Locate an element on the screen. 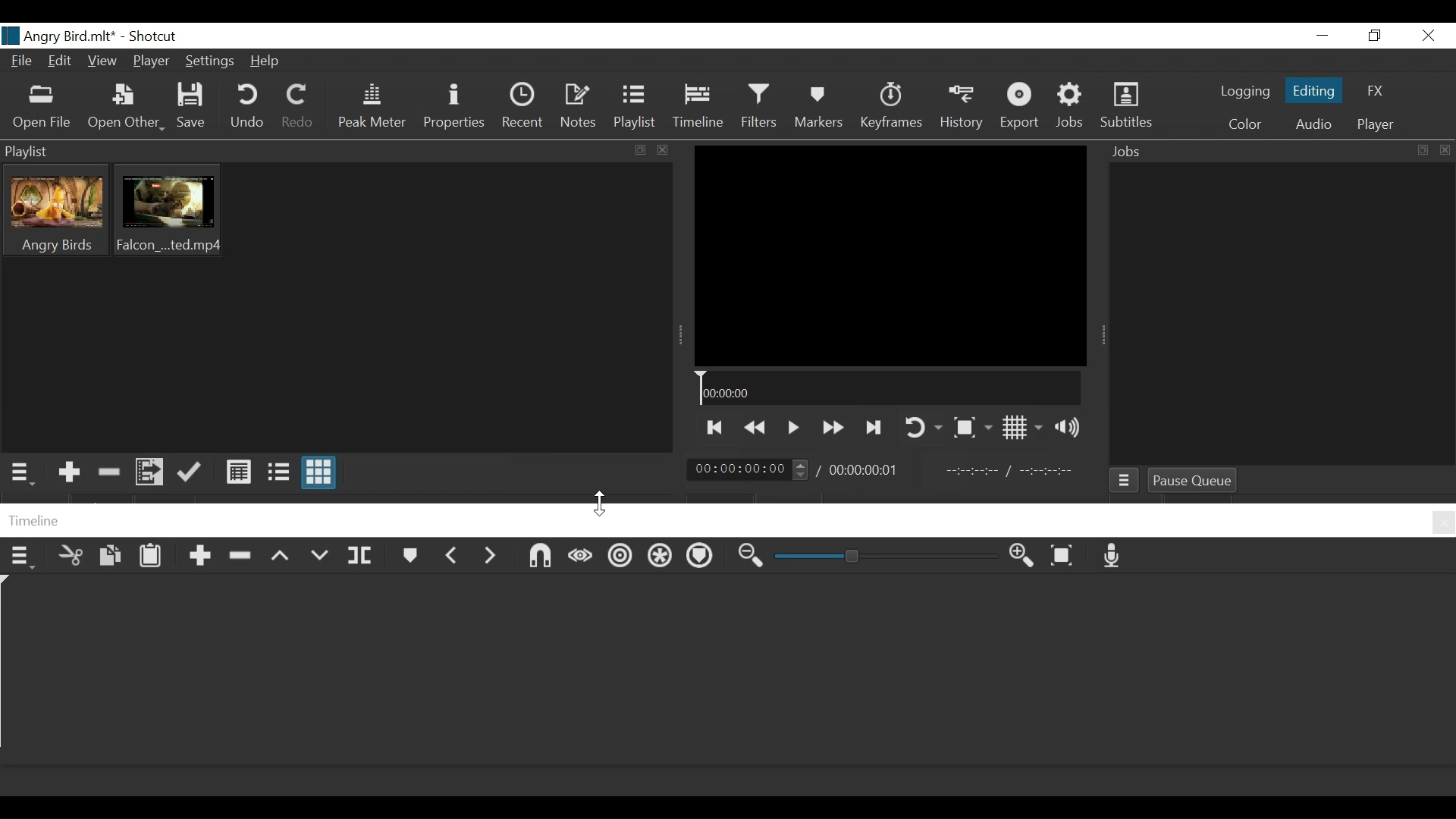 Image resolution: width=1456 pixels, height=819 pixels. Player is located at coordinates (152, 63).